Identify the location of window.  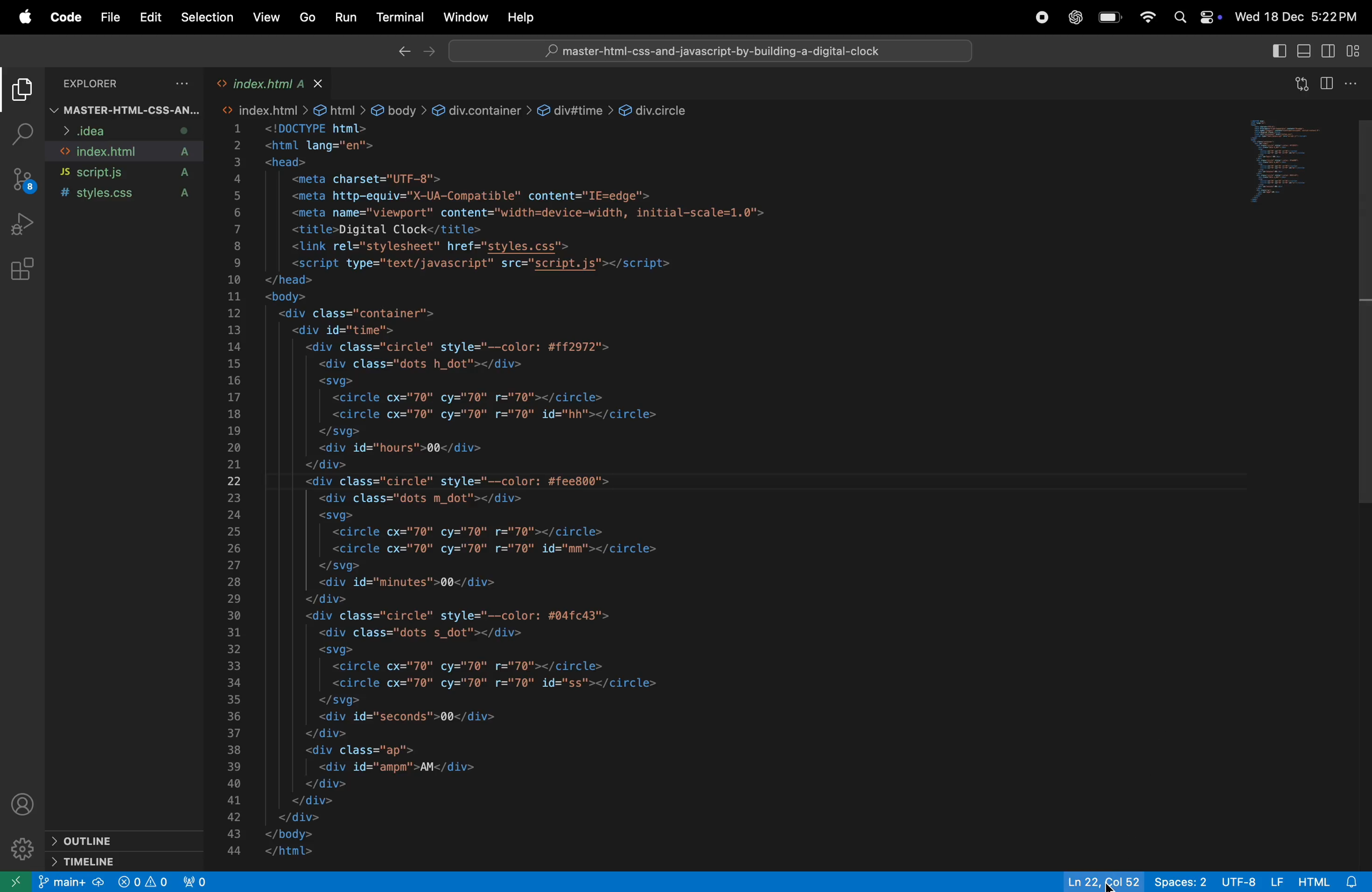
(466, 17).